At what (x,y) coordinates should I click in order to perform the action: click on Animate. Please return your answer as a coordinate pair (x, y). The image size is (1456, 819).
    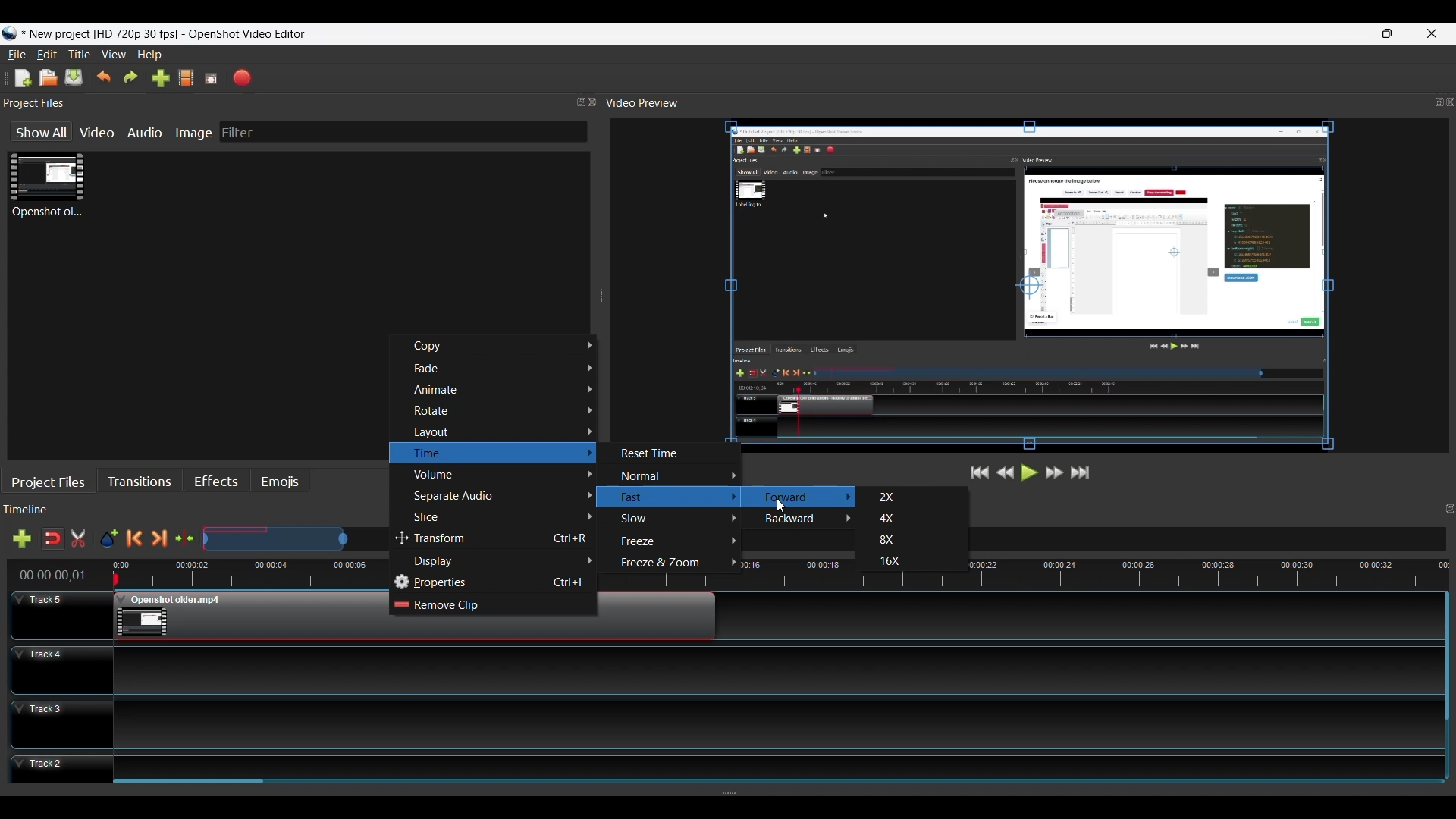
    Looking at the image, I should click on (502, 390).